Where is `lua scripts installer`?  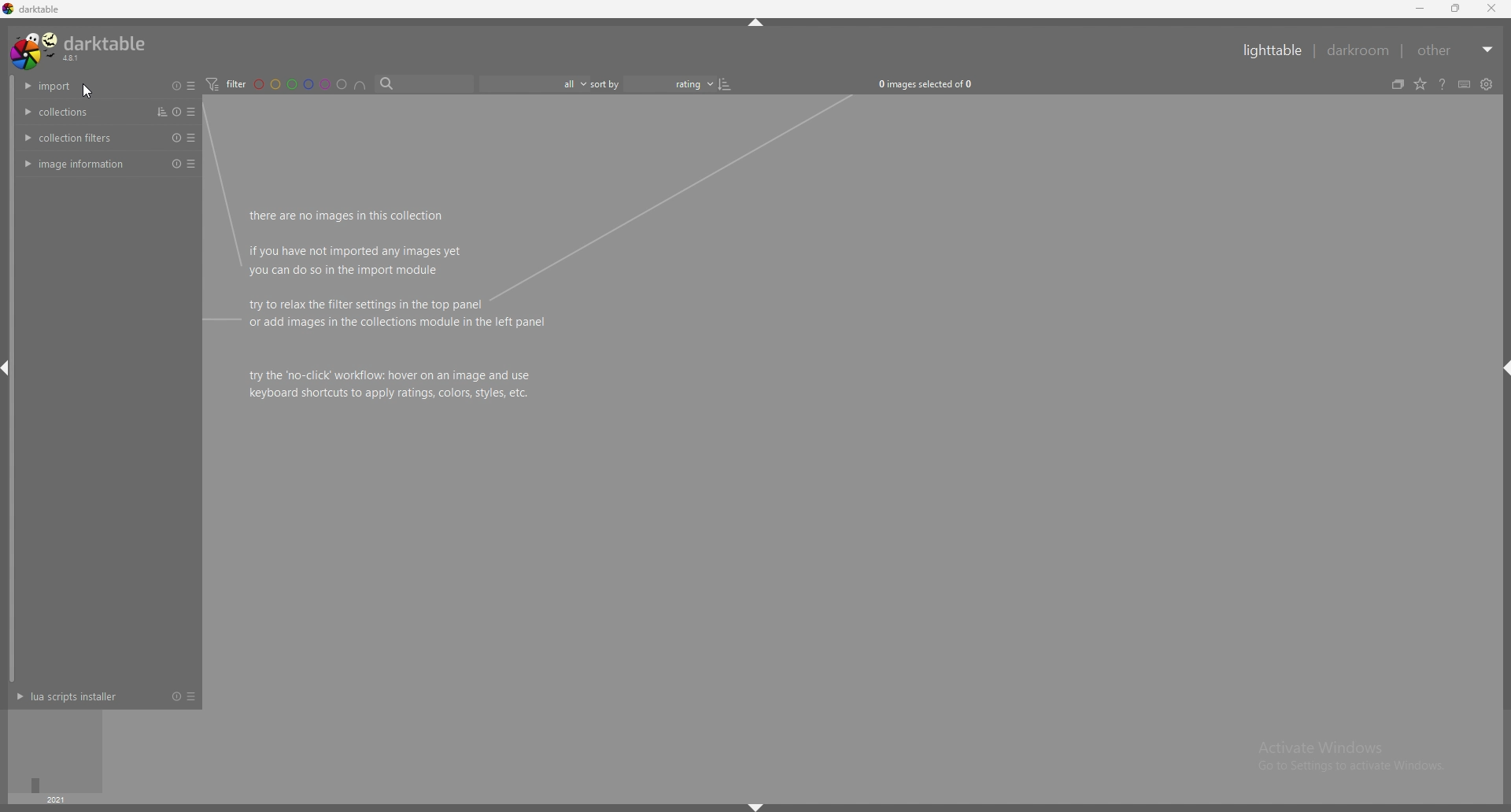
lua scripts installer is located at coordinates (73, 696).